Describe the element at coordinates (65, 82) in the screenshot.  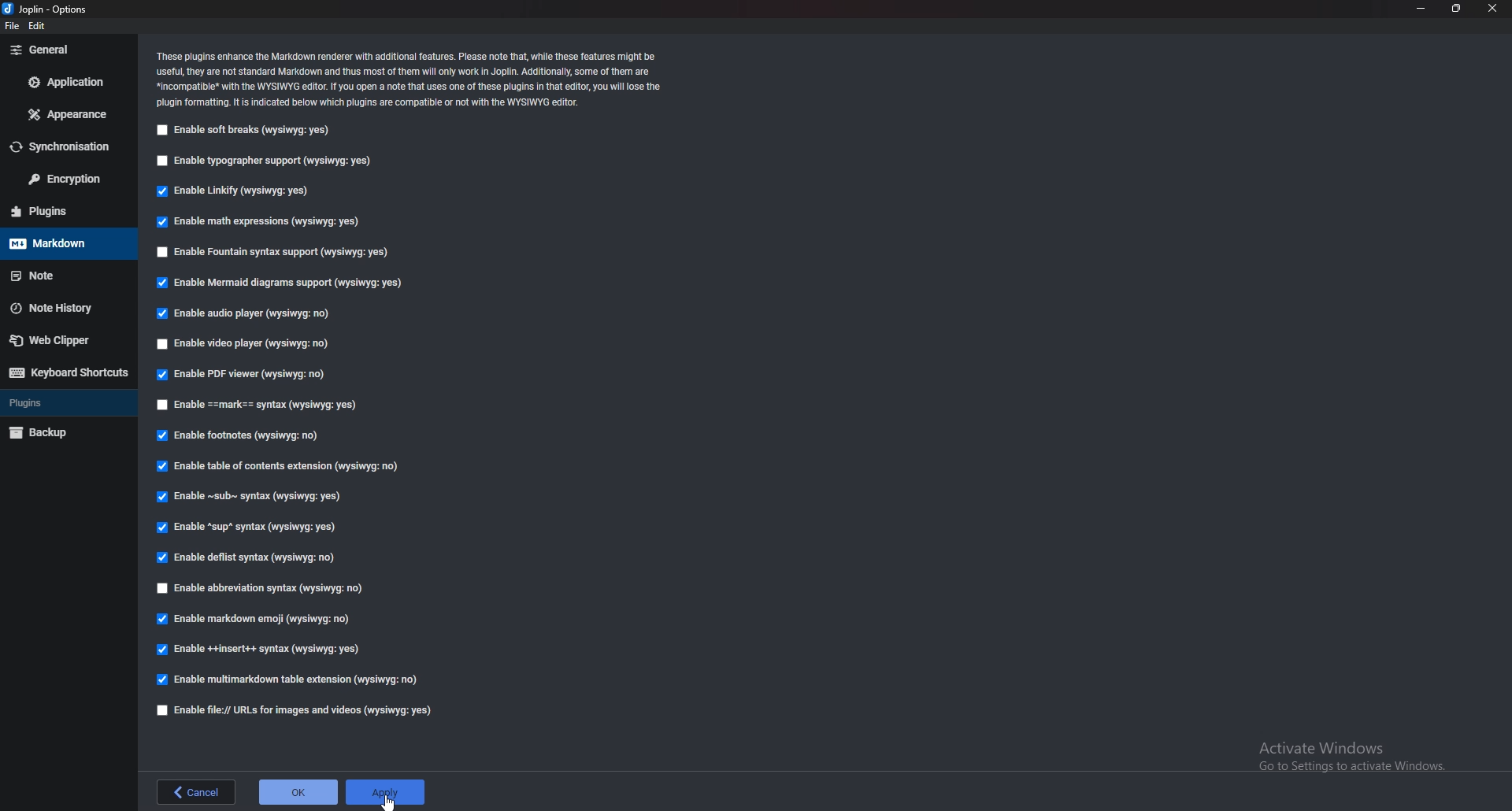
I see `Application` at that location.